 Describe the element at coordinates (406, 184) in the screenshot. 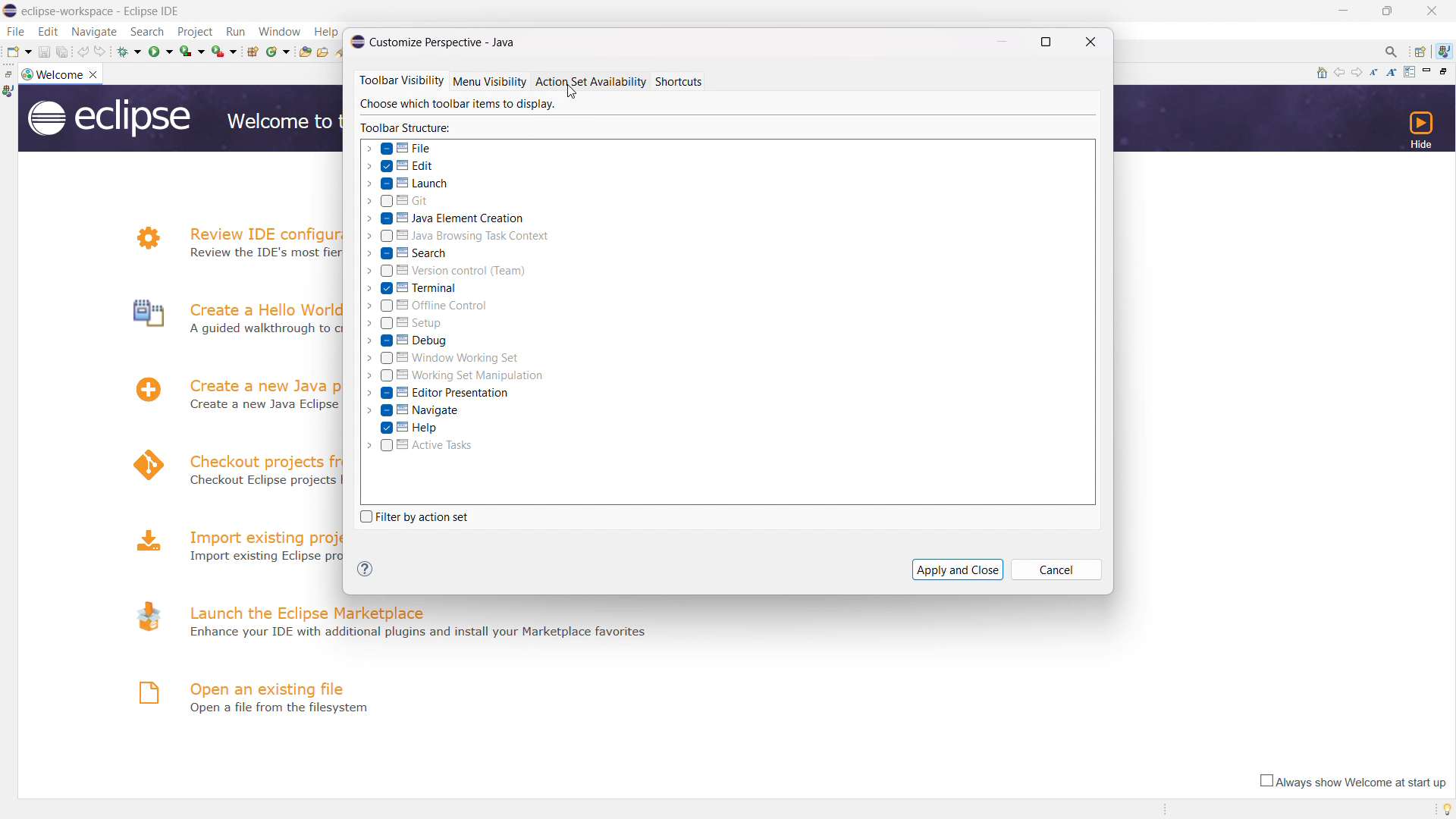

I see `launch` at that location.